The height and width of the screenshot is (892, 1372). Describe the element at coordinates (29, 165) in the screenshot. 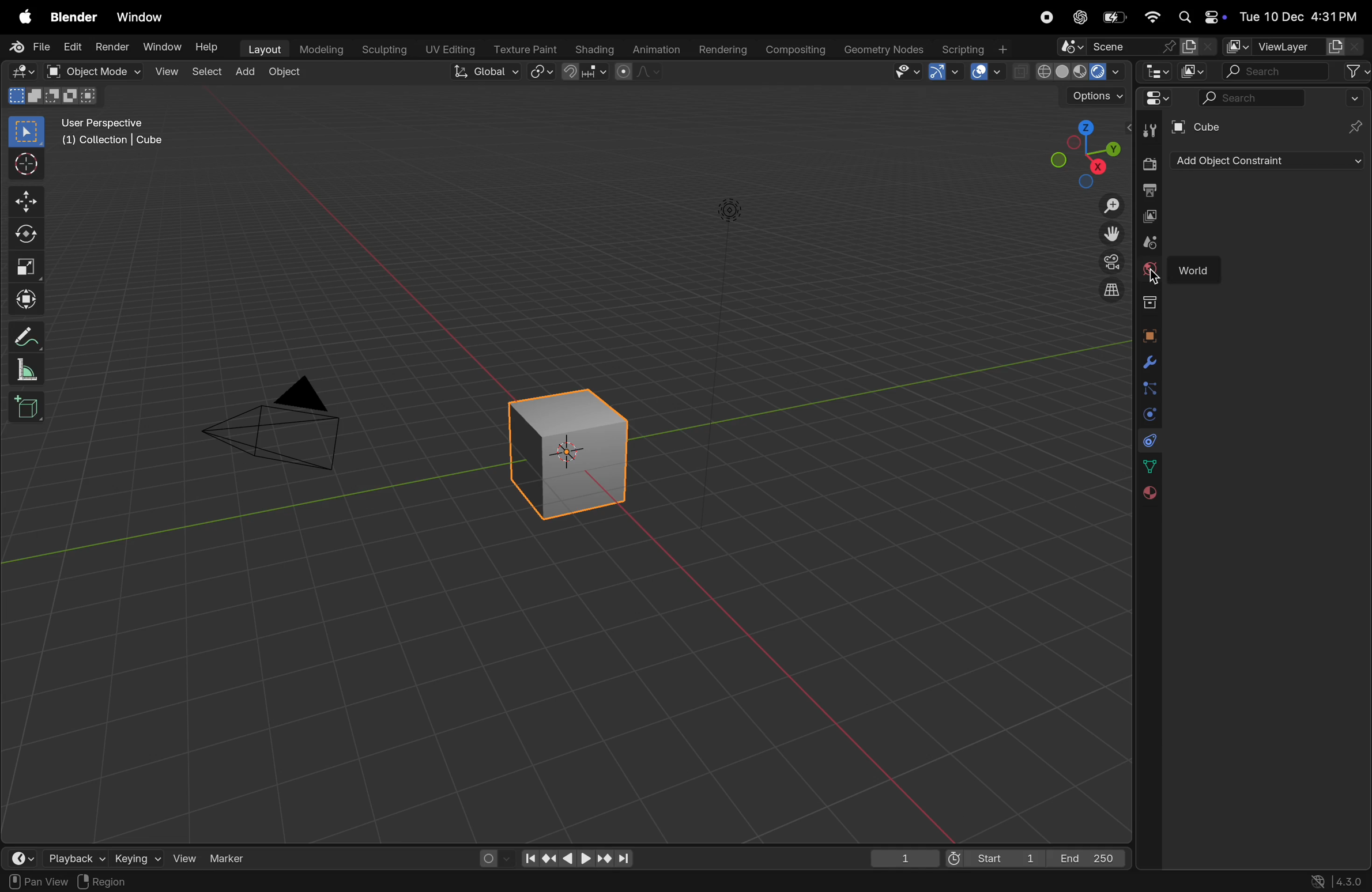

I see `cursor` at that location.